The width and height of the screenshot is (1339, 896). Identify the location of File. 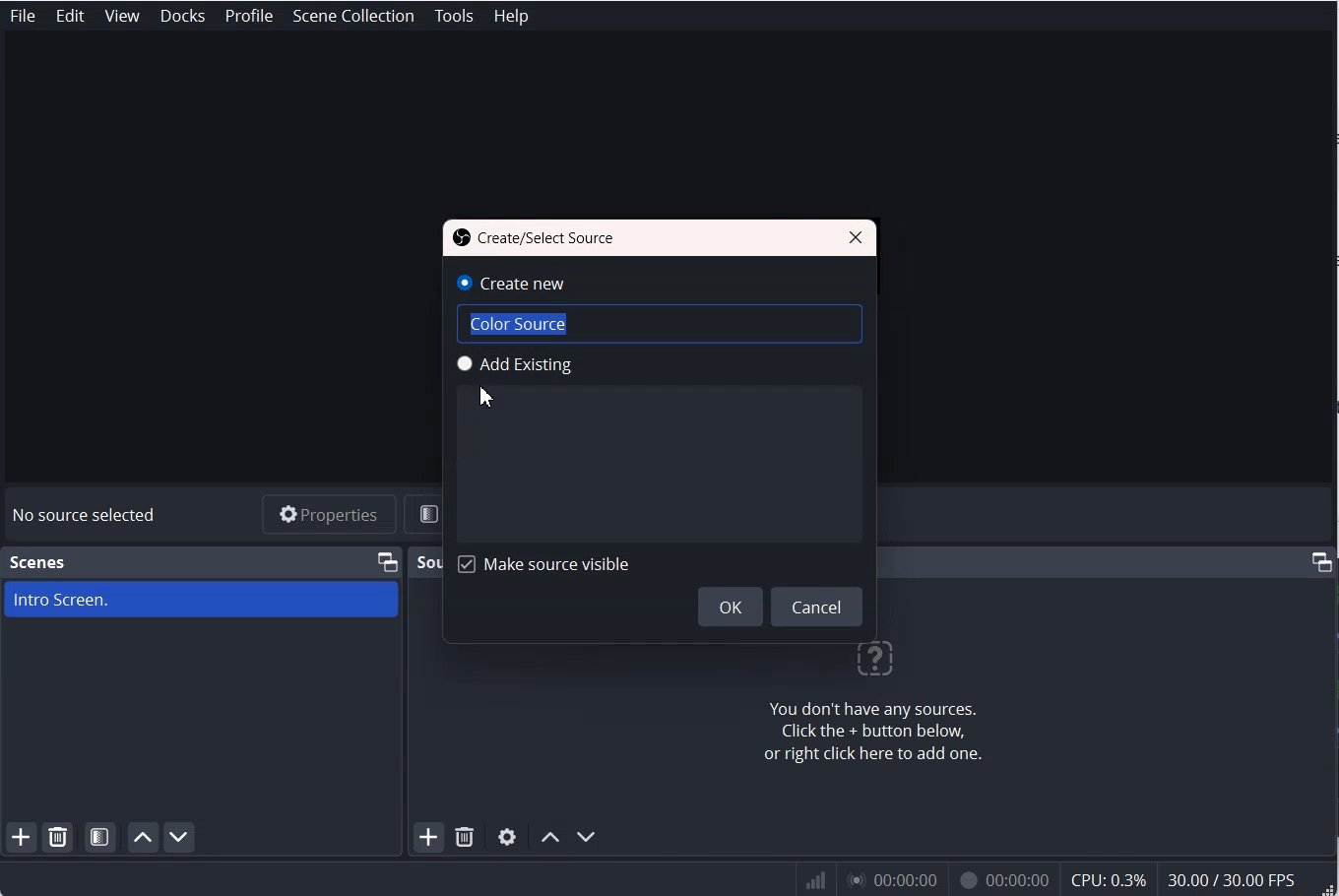
(22, 16).